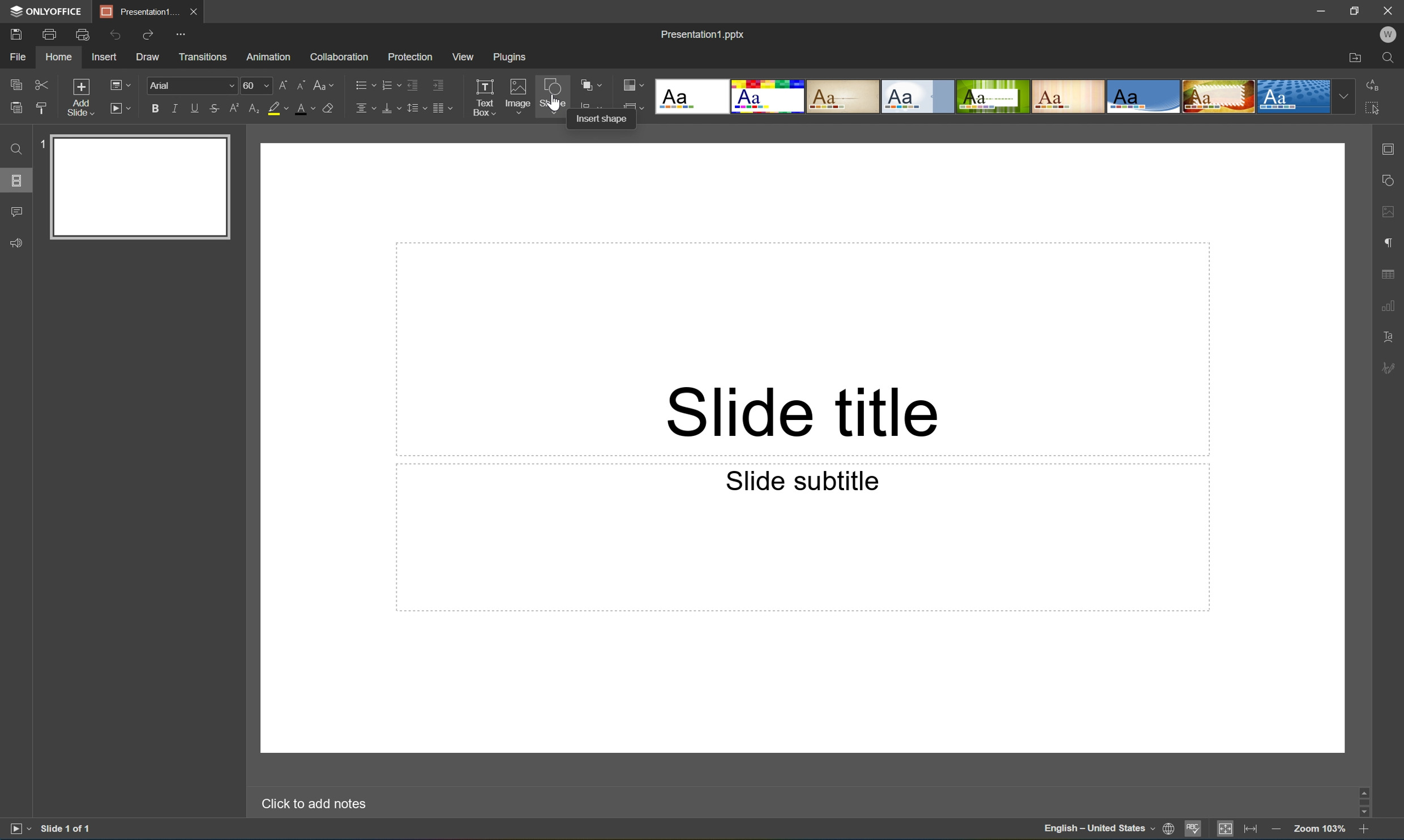 This screenshot has width=1404, height=840. I want to click on Paste, so click(16, 109).